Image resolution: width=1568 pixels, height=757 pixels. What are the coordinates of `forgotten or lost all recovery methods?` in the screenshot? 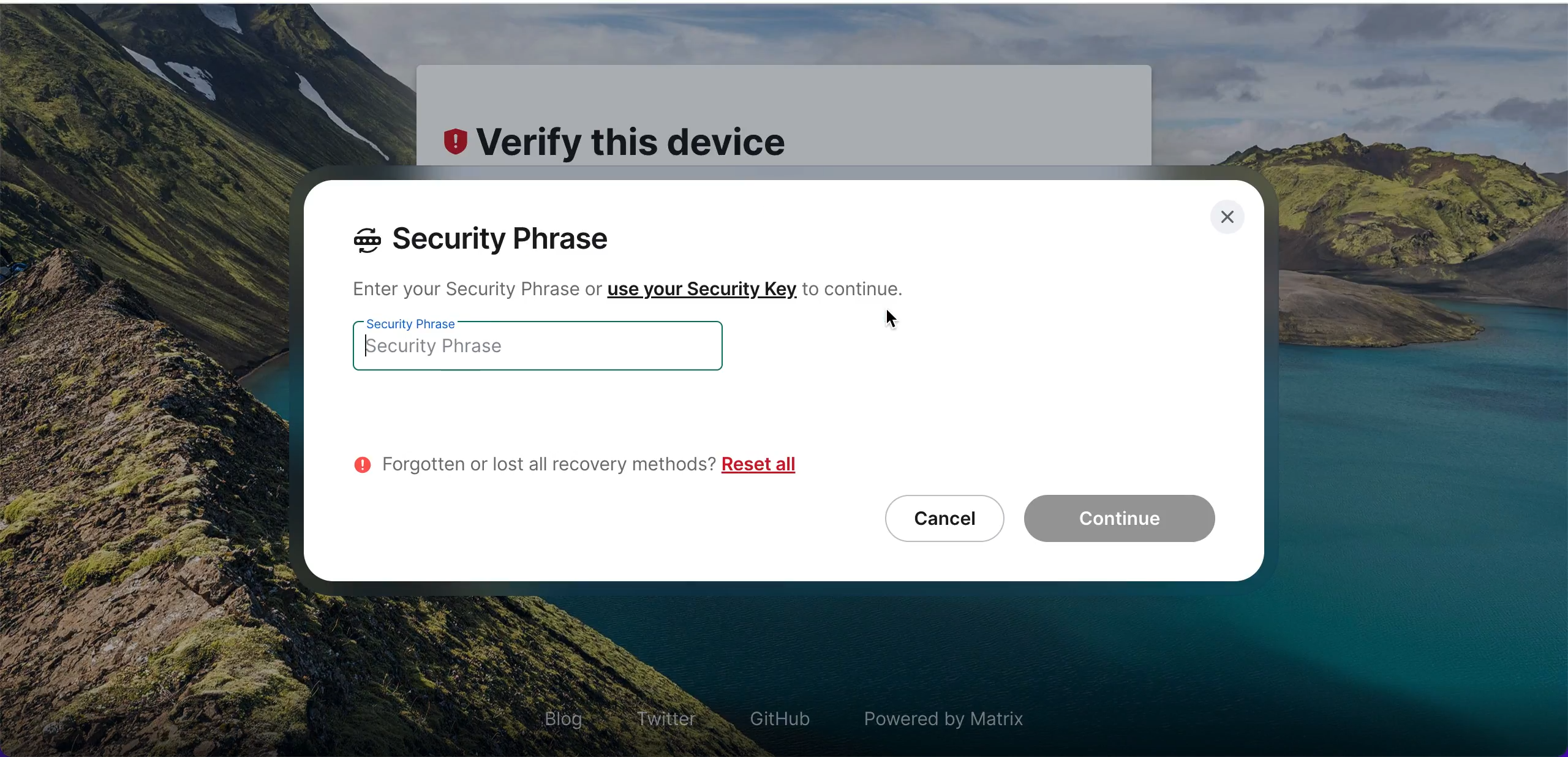 It's located at (531, 458).